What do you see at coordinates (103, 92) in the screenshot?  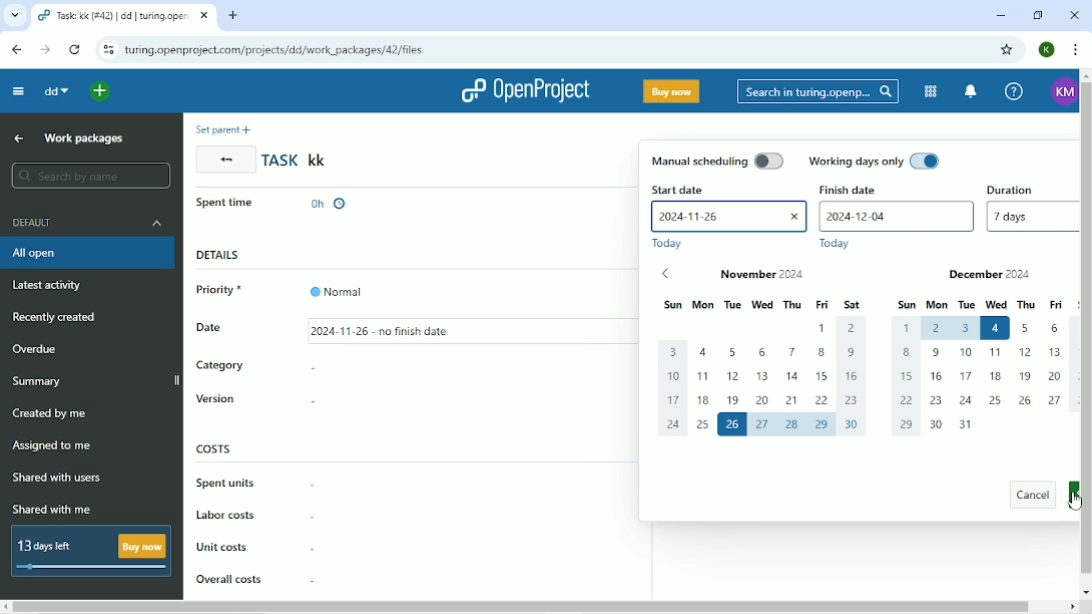 I see `Open quick add menu` at bounding box center [103, 92].